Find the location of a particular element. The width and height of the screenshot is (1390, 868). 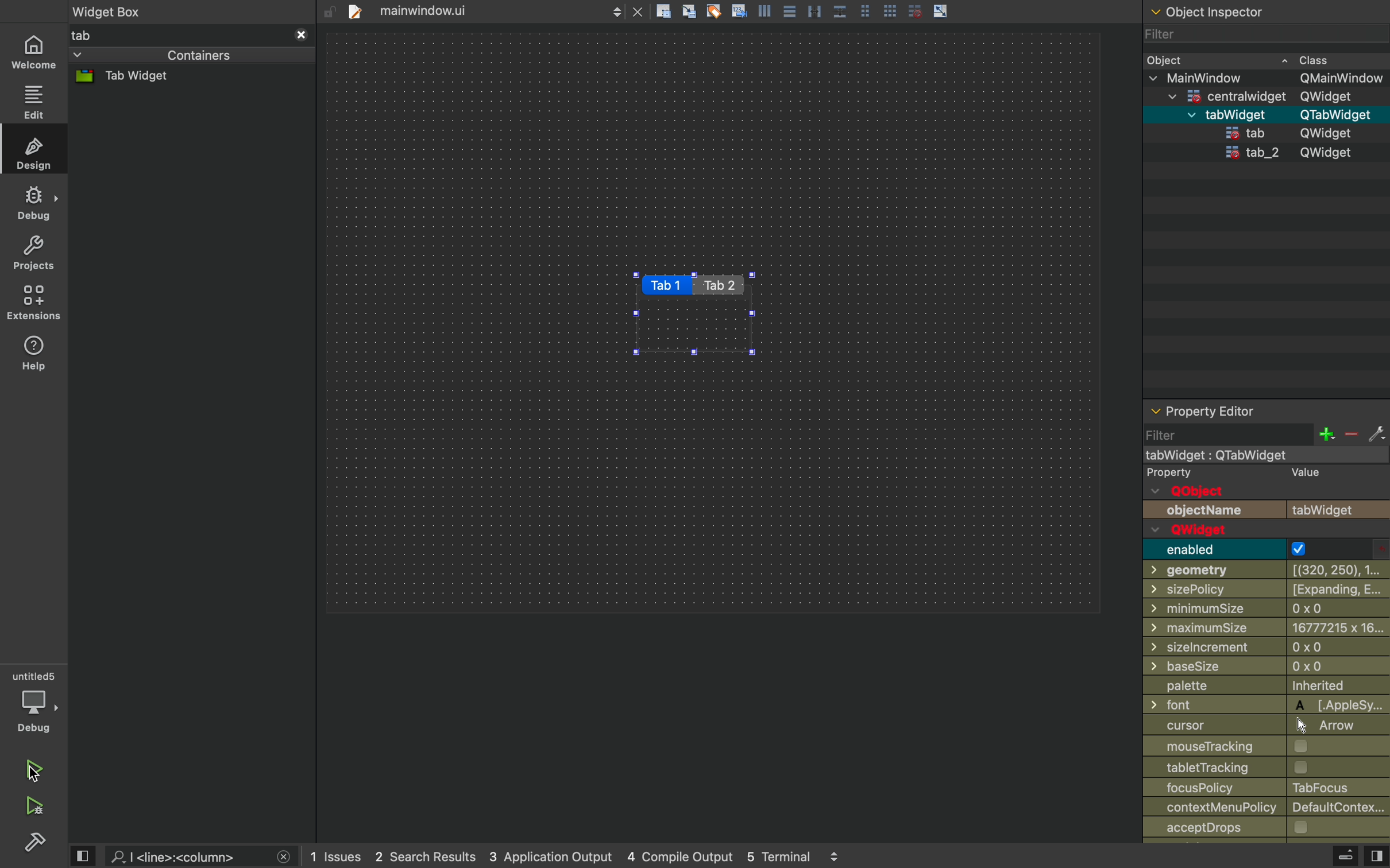

grid view large is located at coordinates (889, 10).